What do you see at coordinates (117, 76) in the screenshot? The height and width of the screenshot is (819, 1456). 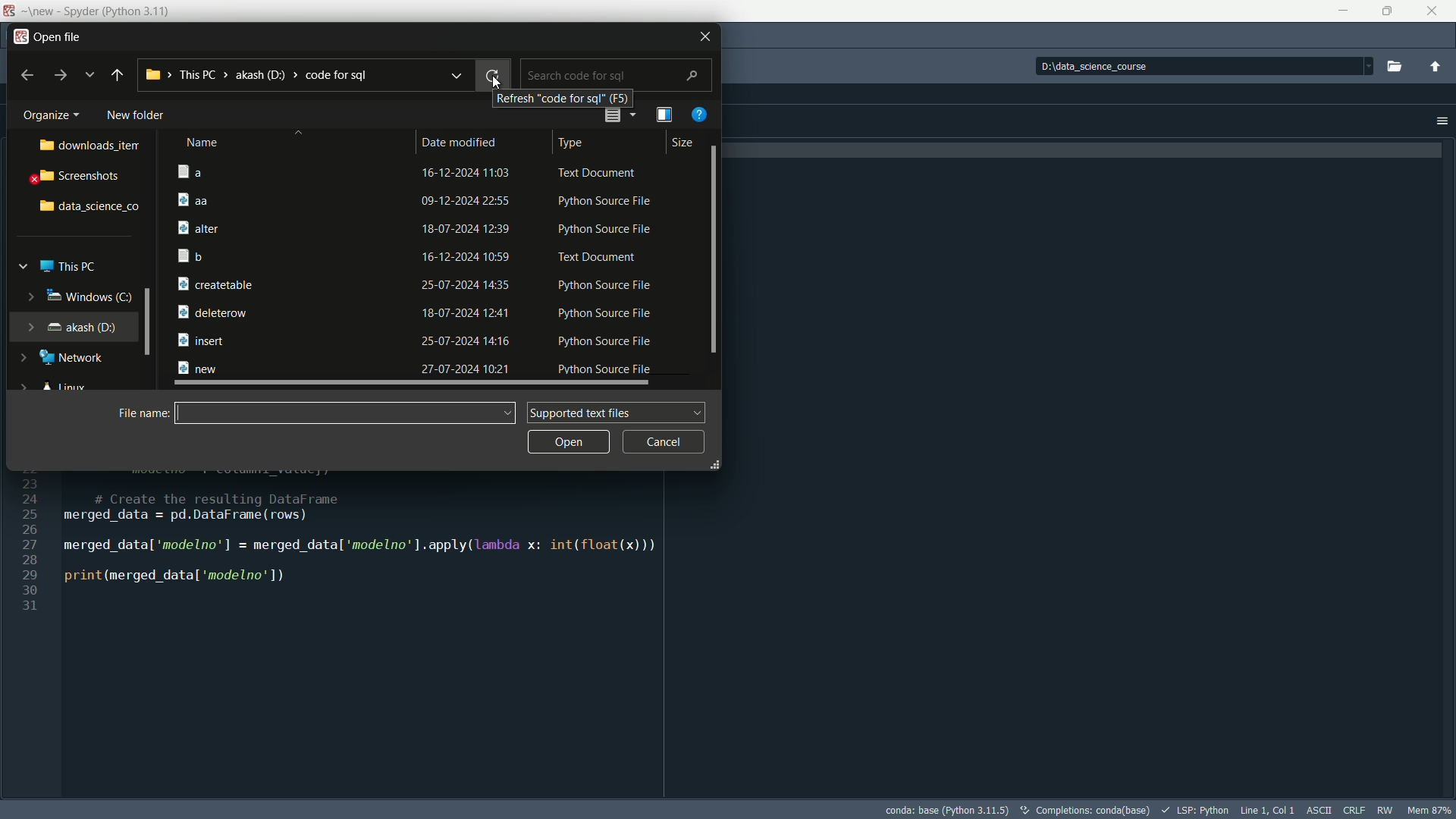 I see `back` at bounding box center [117, 76].